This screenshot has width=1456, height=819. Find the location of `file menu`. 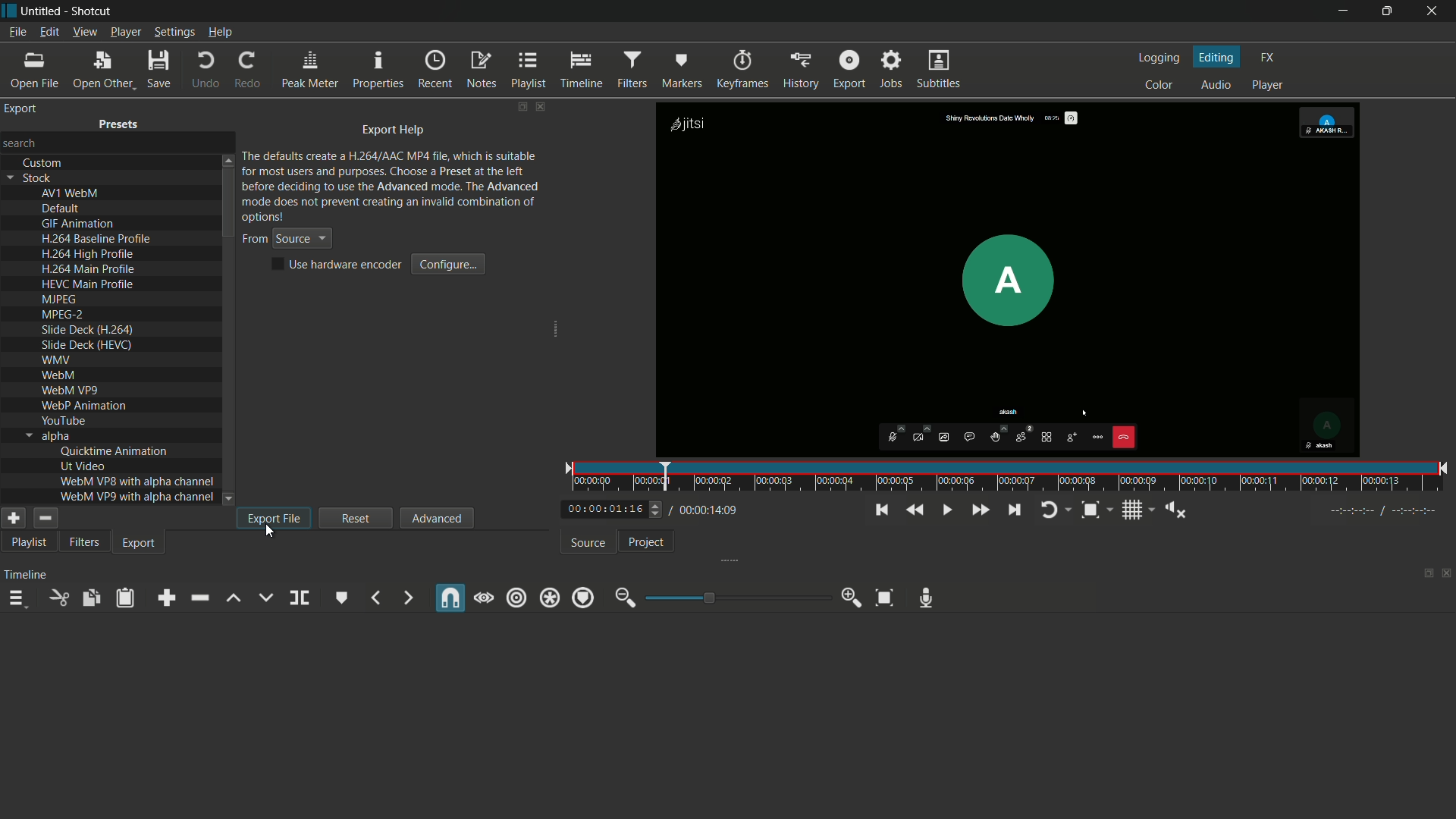

file menu is located at coordinates (17, 32).